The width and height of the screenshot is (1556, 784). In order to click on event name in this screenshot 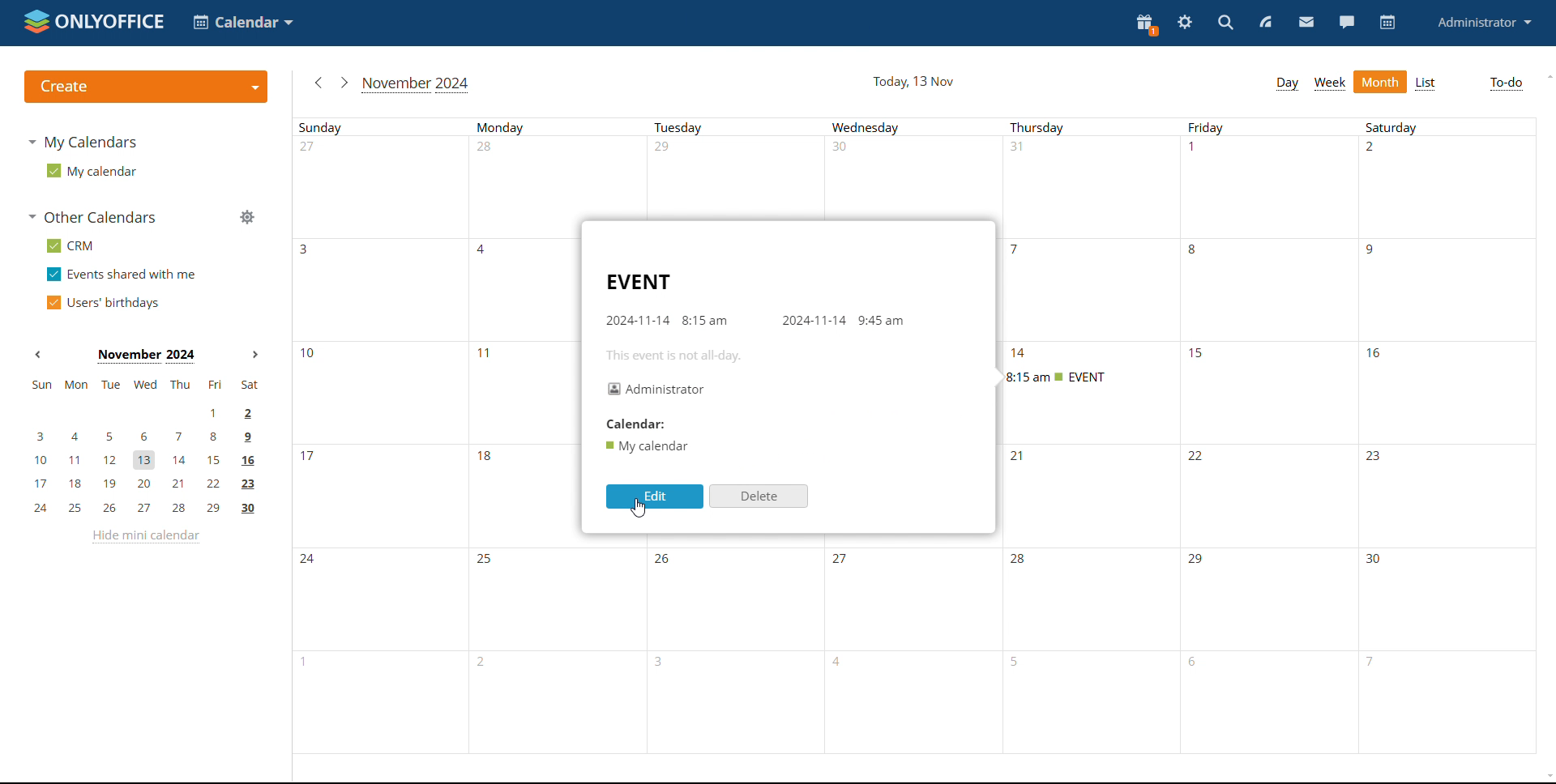, I will do `click(637, 282)`.